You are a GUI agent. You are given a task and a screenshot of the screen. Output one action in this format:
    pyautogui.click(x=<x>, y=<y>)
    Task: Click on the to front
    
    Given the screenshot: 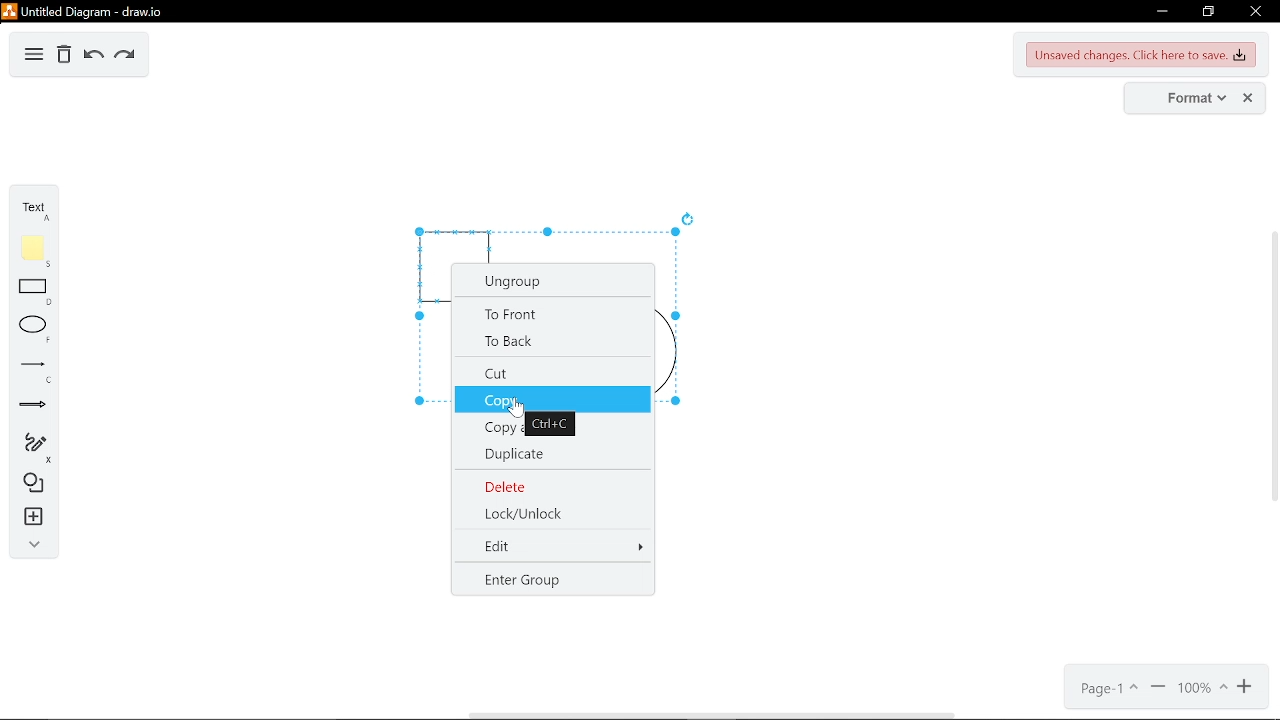 What is the action you would take?
    pyautogui.click(x=560, y=315)
    